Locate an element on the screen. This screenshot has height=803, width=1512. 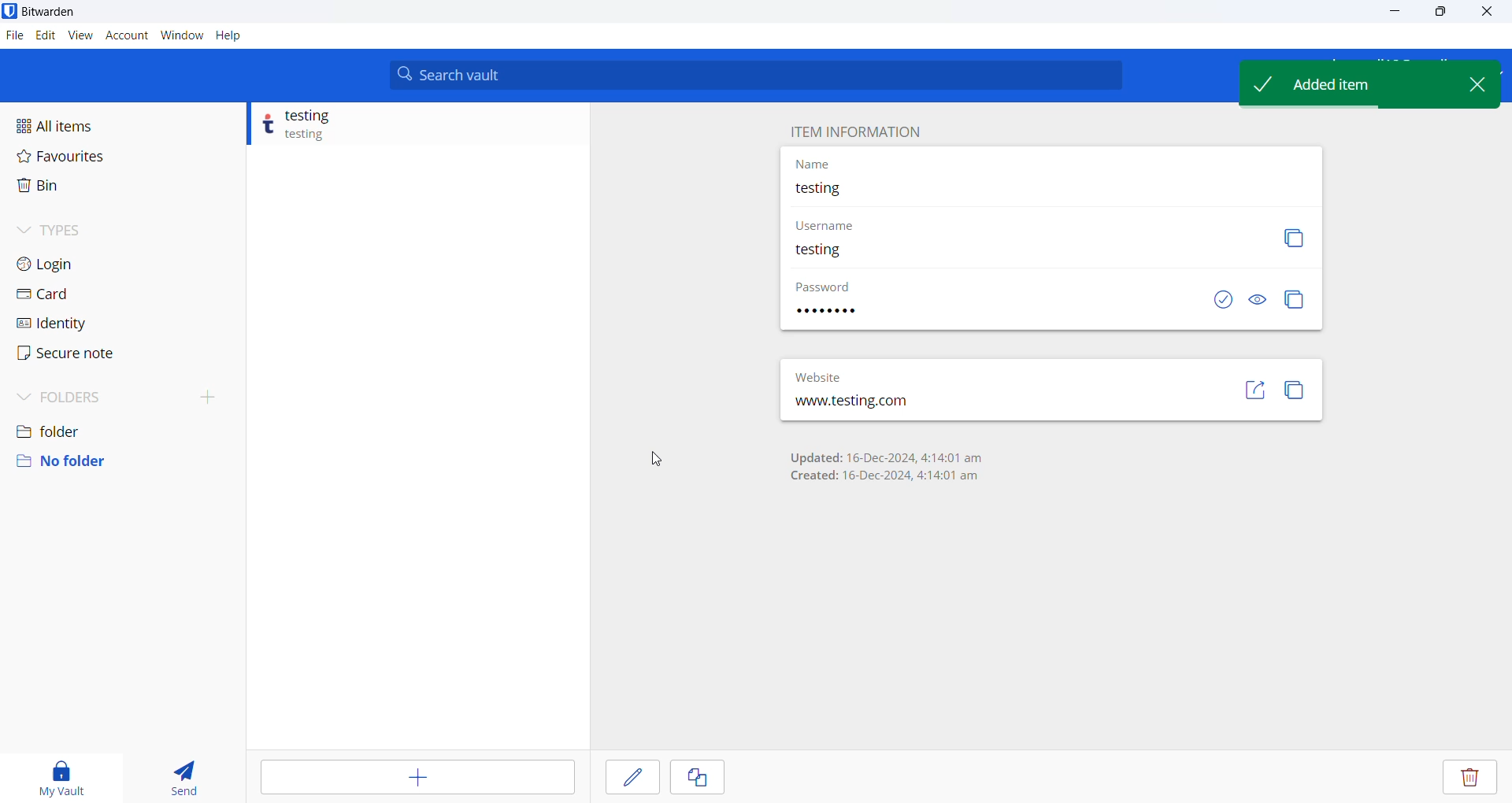
window is located at coordinates (182, 35).